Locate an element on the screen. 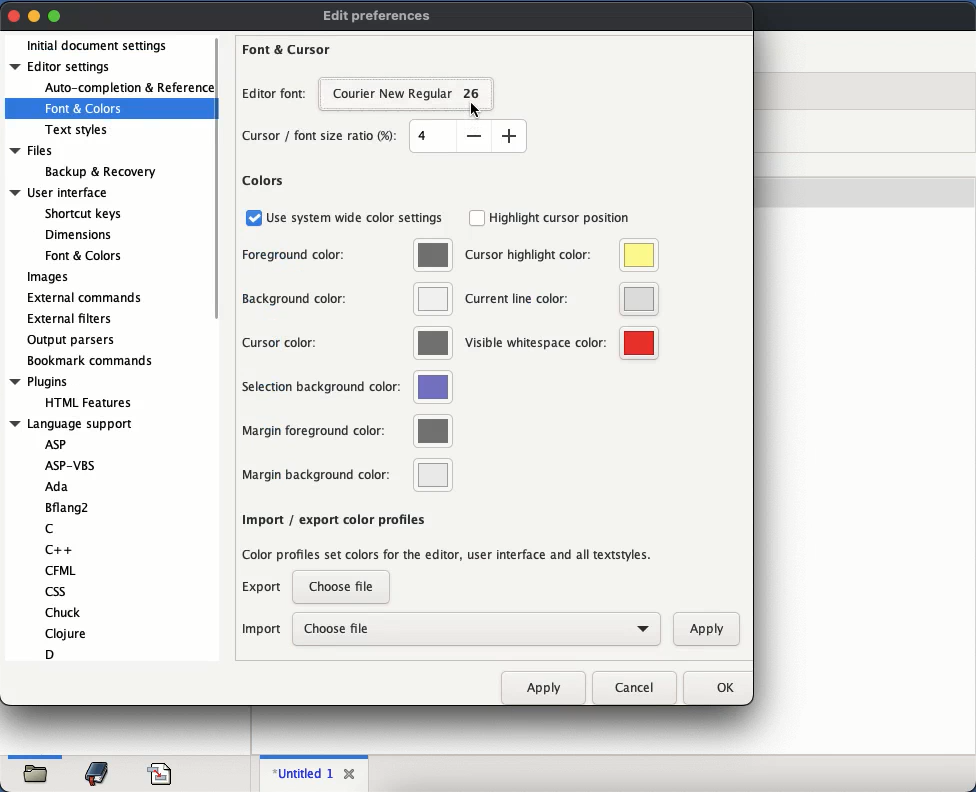 The image size is (976, 792). color is located at coordinates (433, 301).